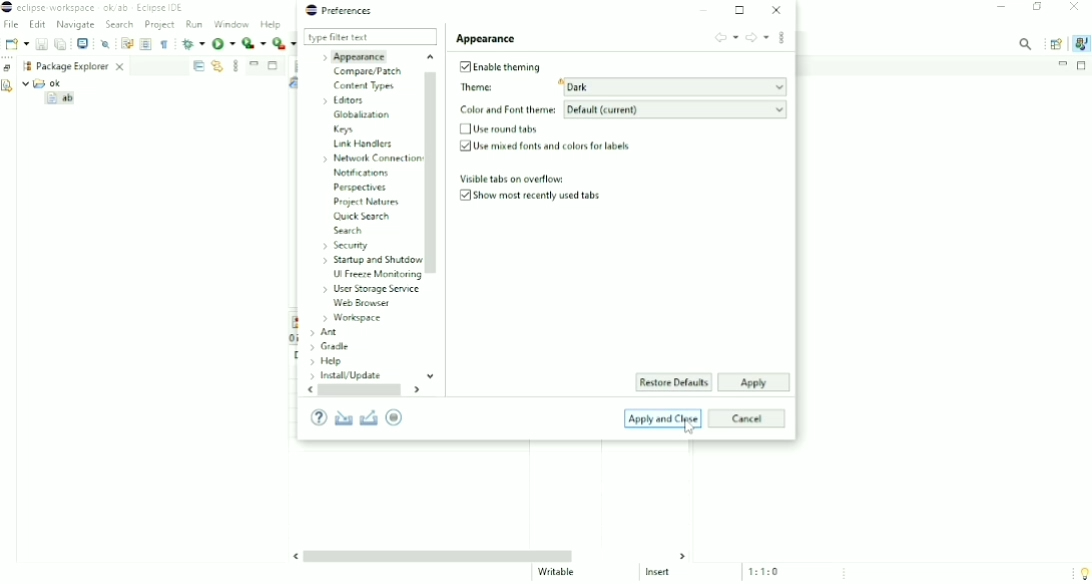 This screenshot has width=1092, height=584. Describe the element at coordinates (119, 25) in the screenshot. I see `Search` at that location.